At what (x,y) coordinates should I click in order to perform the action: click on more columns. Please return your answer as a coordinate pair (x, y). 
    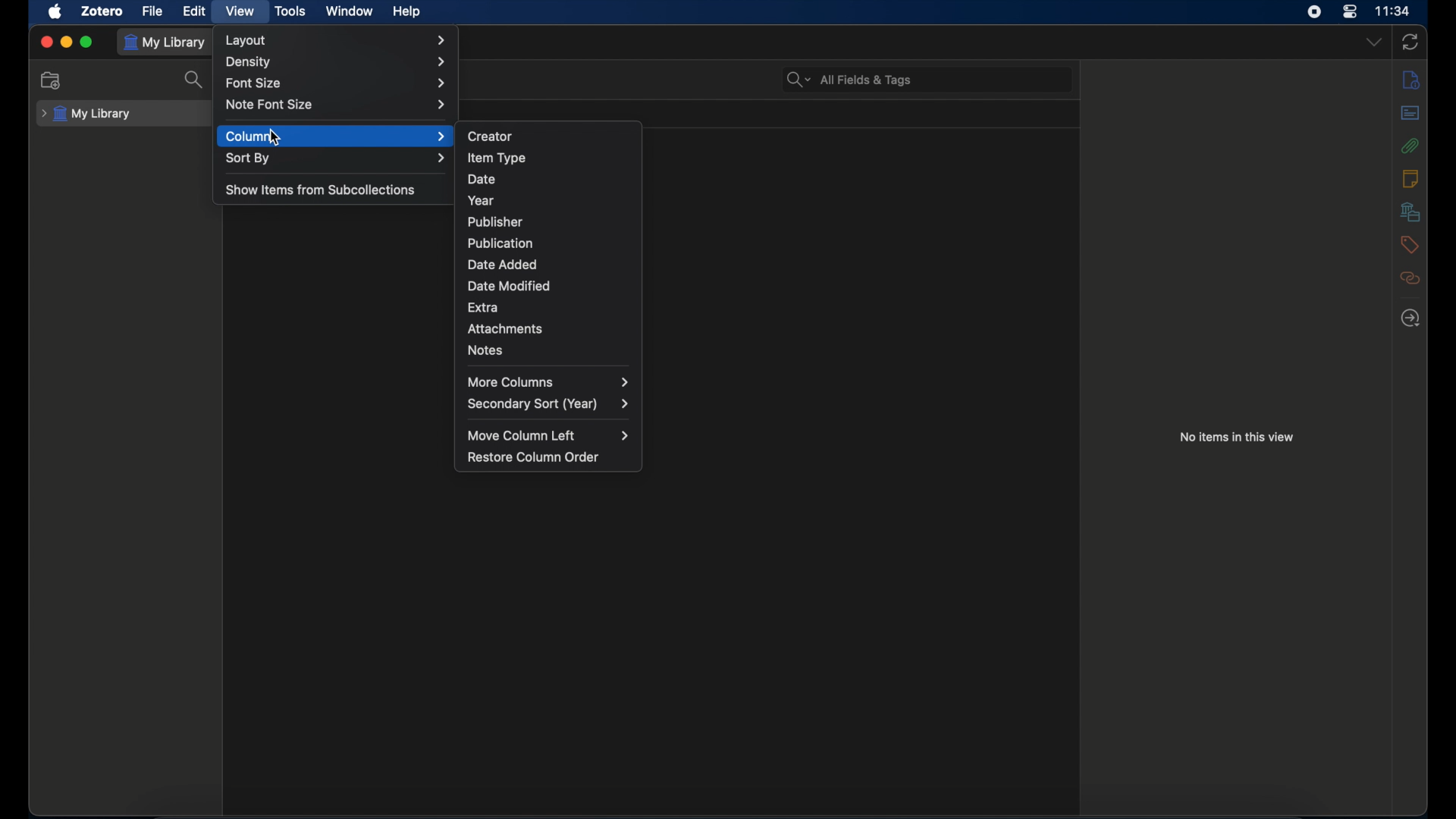
    Looking at the image, I should click on (549, 381).